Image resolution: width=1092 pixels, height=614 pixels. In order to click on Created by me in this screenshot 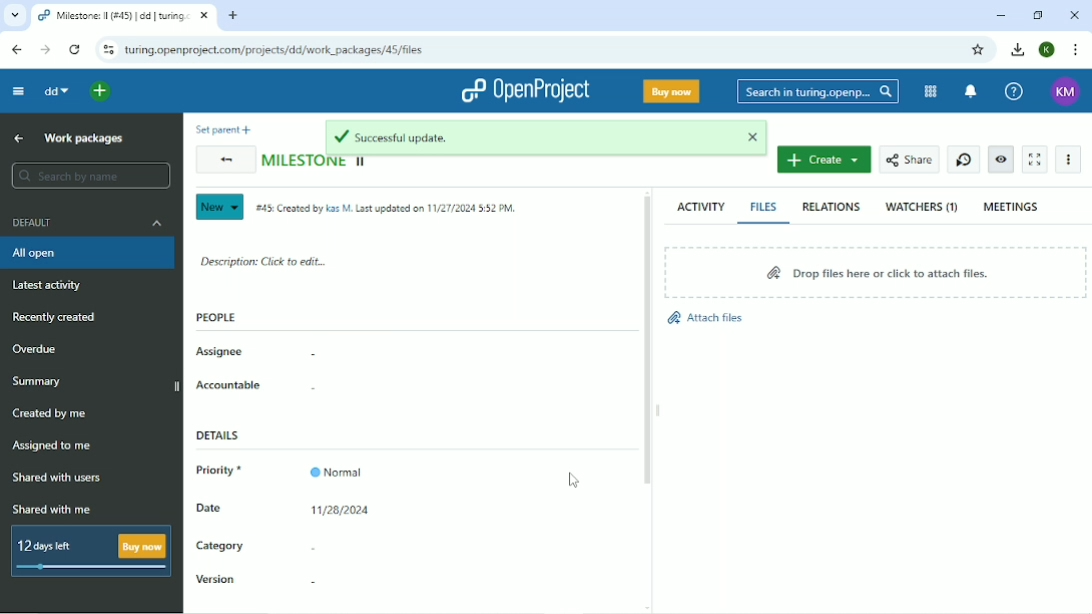, I will do `click(51, 414)`.